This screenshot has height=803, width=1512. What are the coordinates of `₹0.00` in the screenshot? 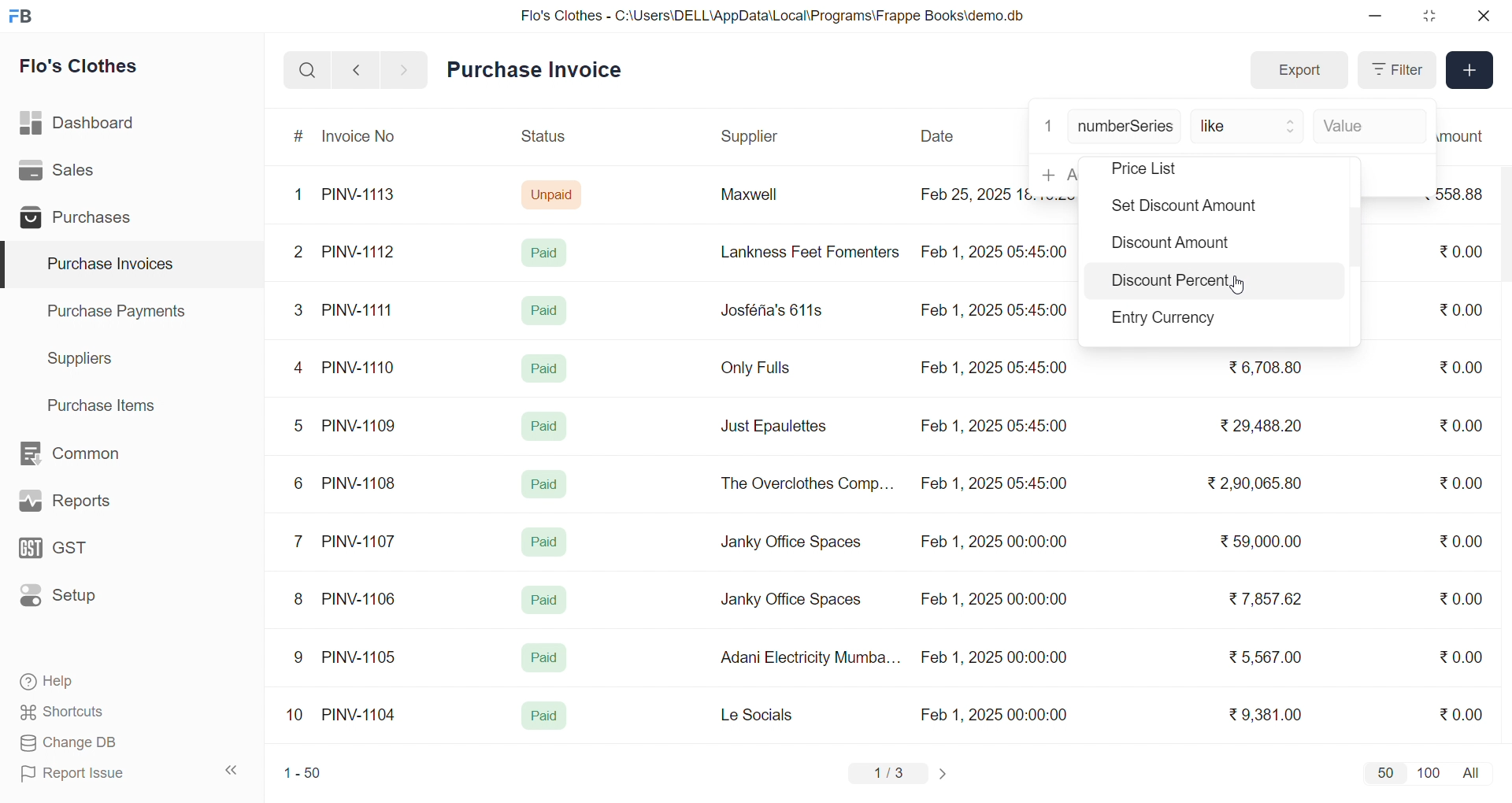 It's located at (1461, 598).